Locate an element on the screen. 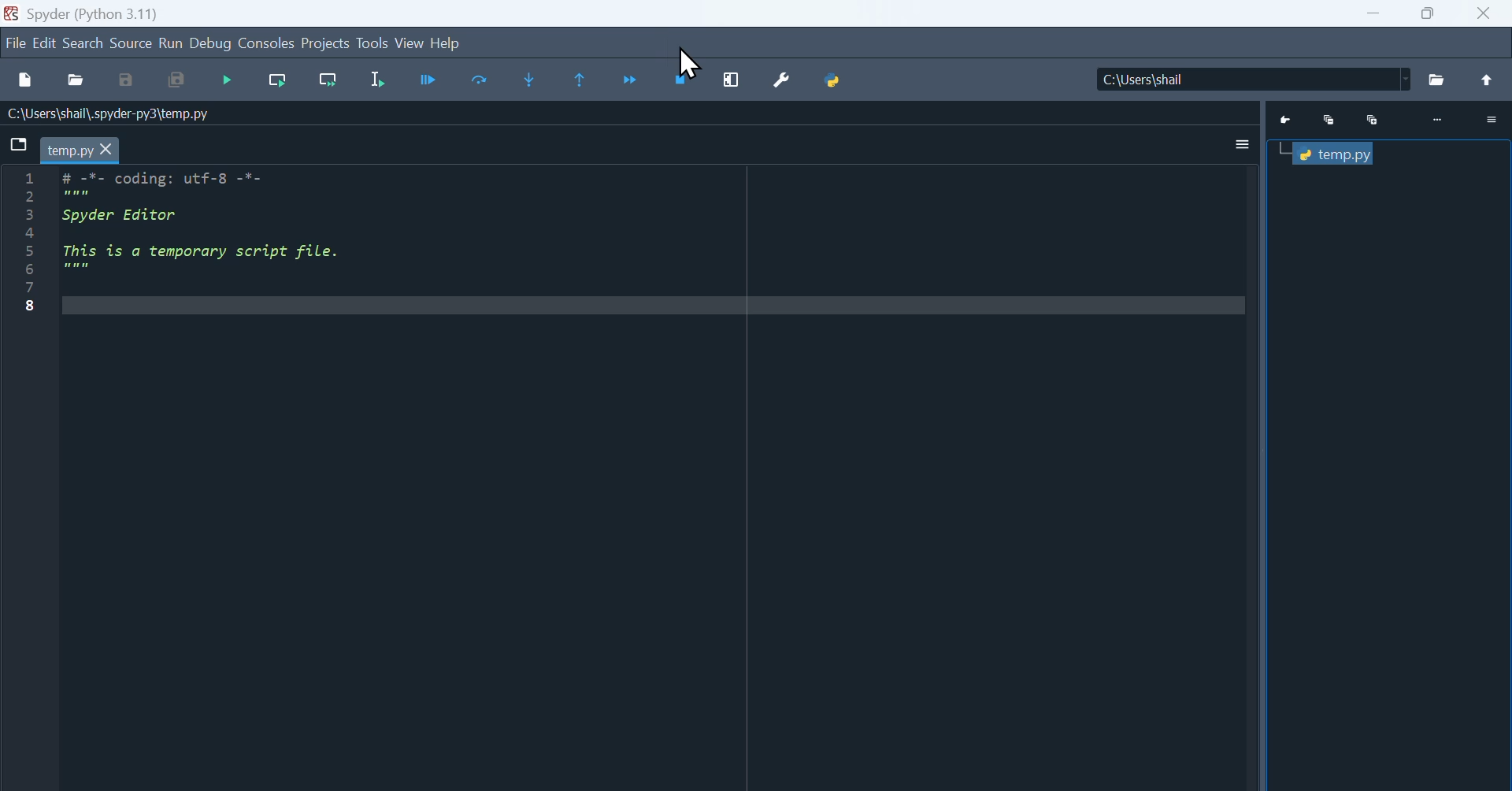 This screenshot has height=791, width=1512. open file is located at coordinates (76, 80).